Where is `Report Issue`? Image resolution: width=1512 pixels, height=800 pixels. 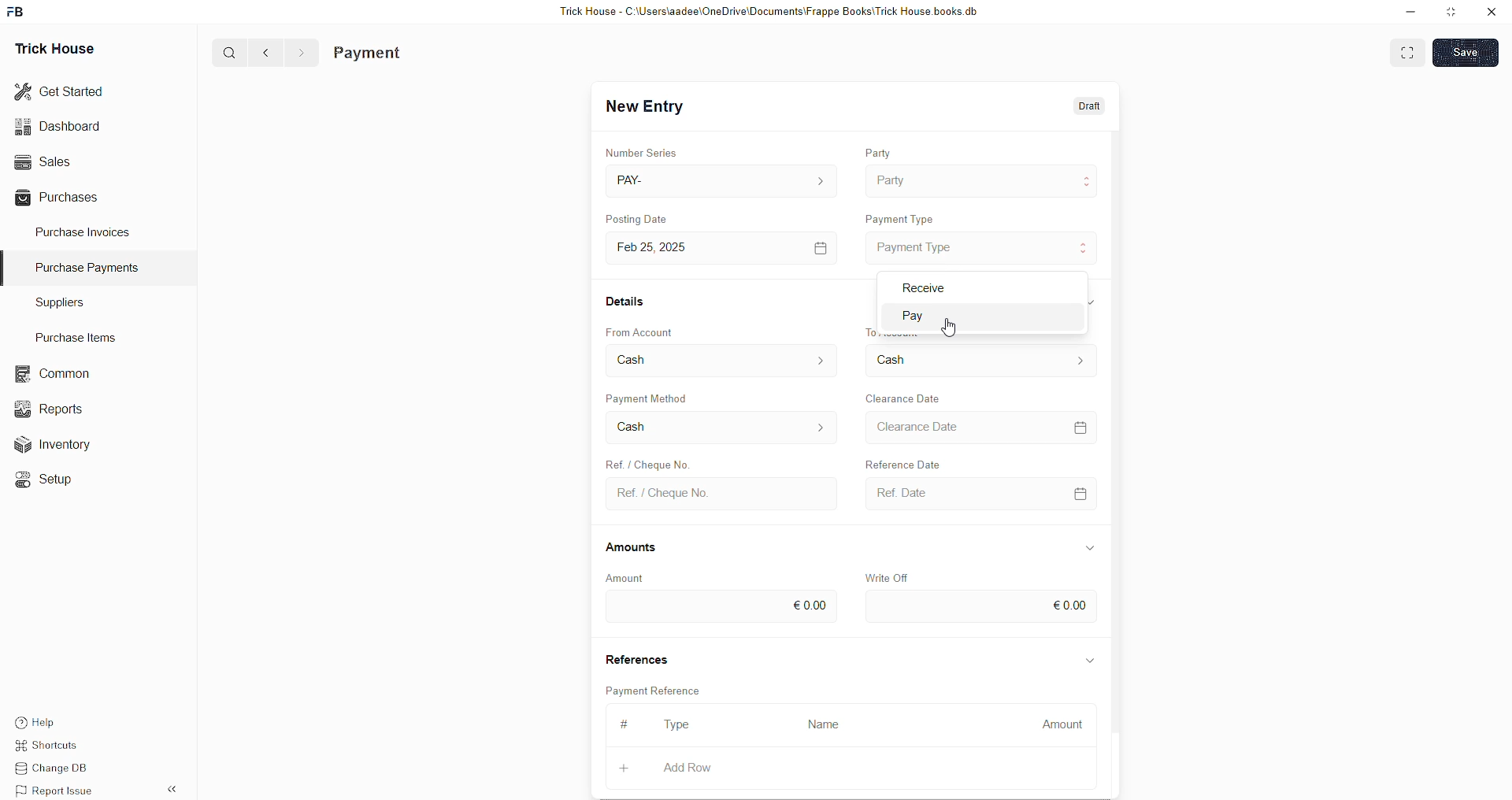
Report Issue is located at coordinates (59, 791).